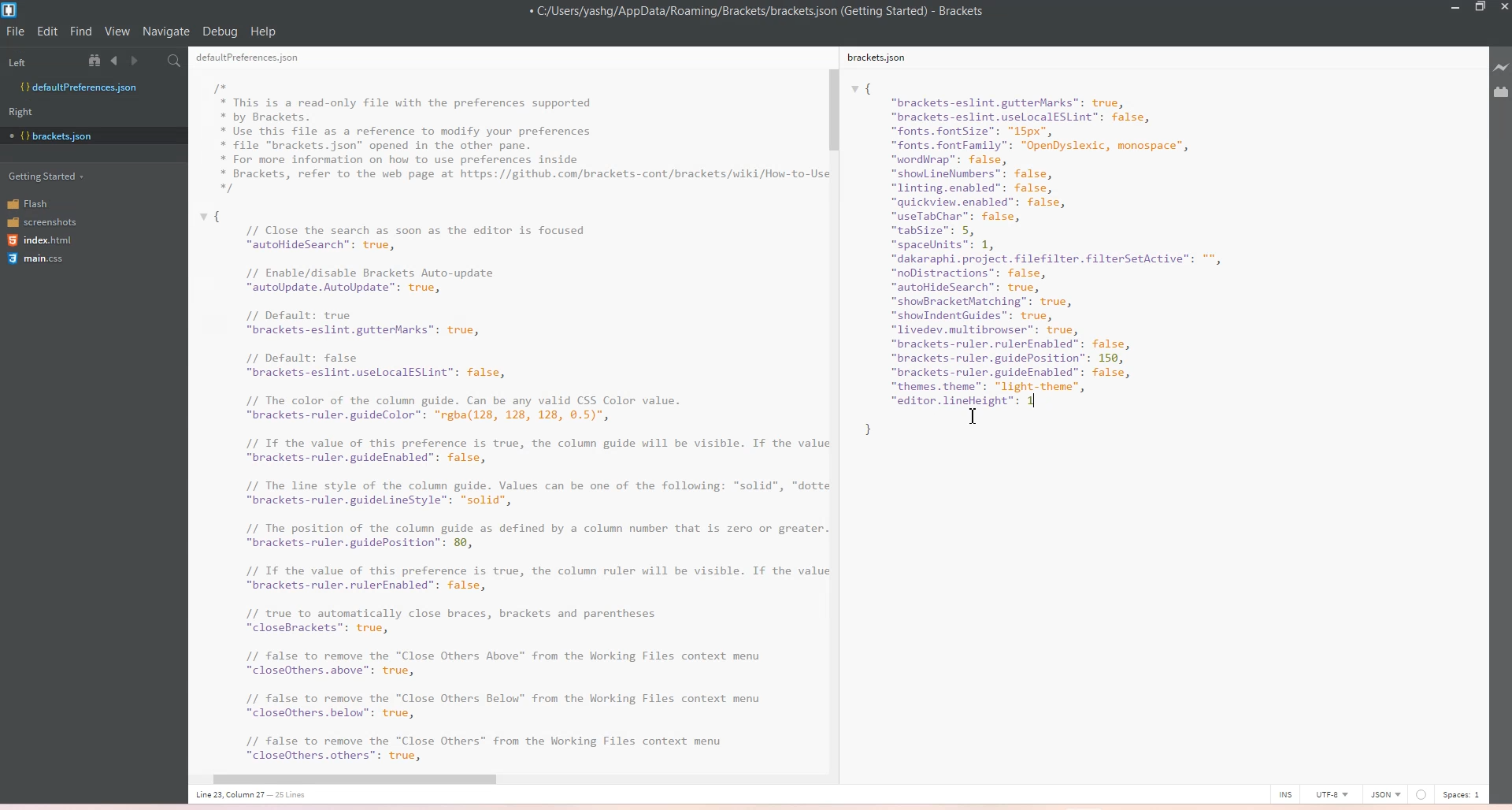  Describe the element at coordinates (1385, 793) in the screenshot. I see `JSON` at that location.